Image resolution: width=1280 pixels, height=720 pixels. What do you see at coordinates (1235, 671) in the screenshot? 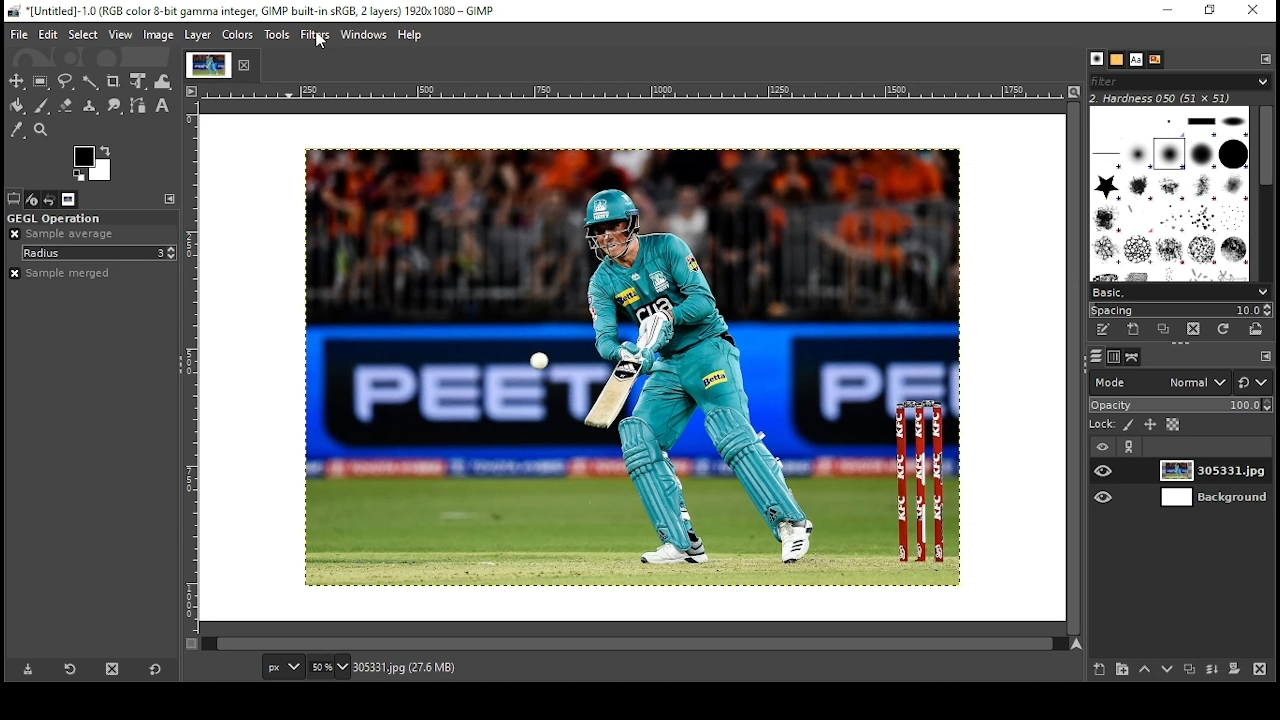
I see `add mask` at bounding box center [1235, 671].